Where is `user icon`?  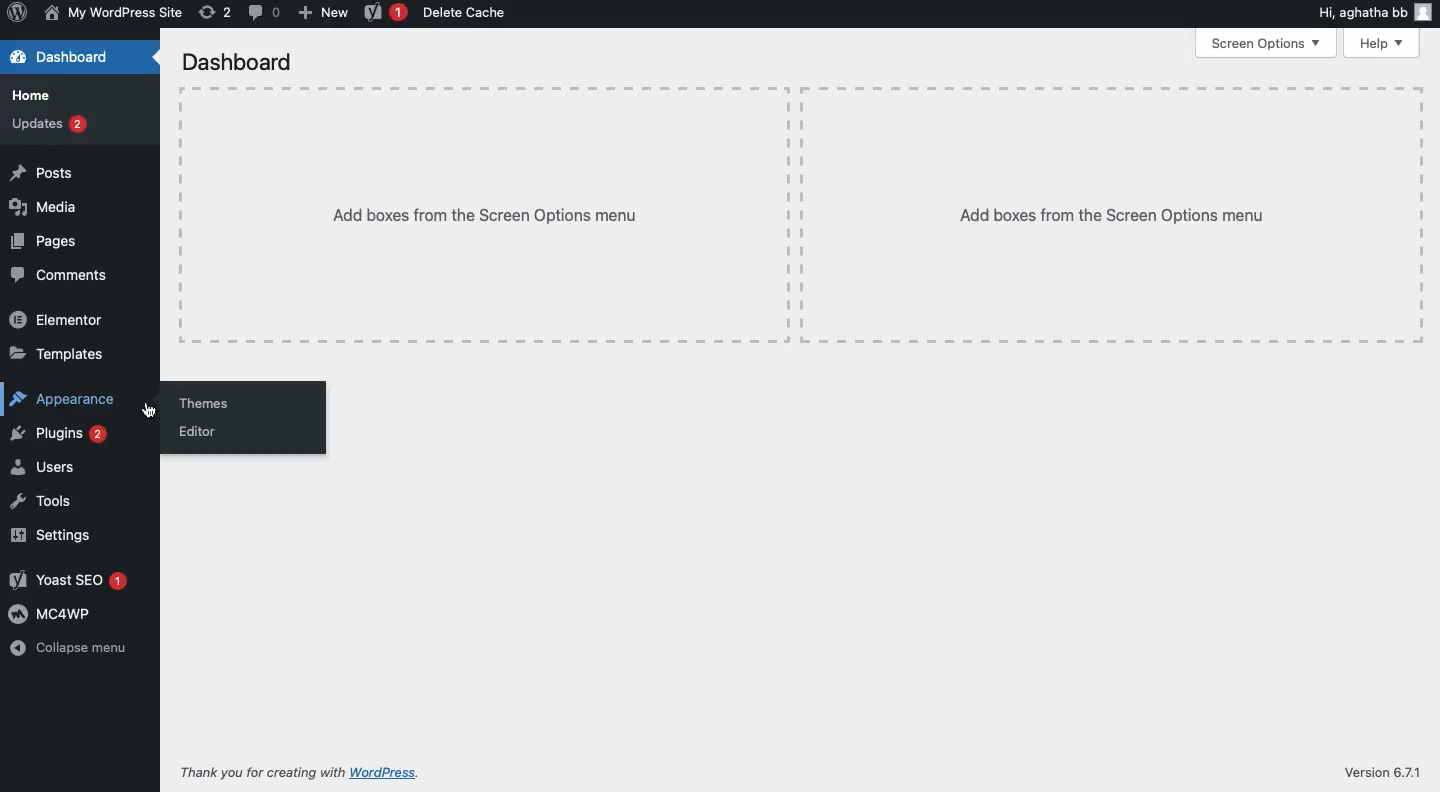 user icon is located at coordinates (1427, 12).